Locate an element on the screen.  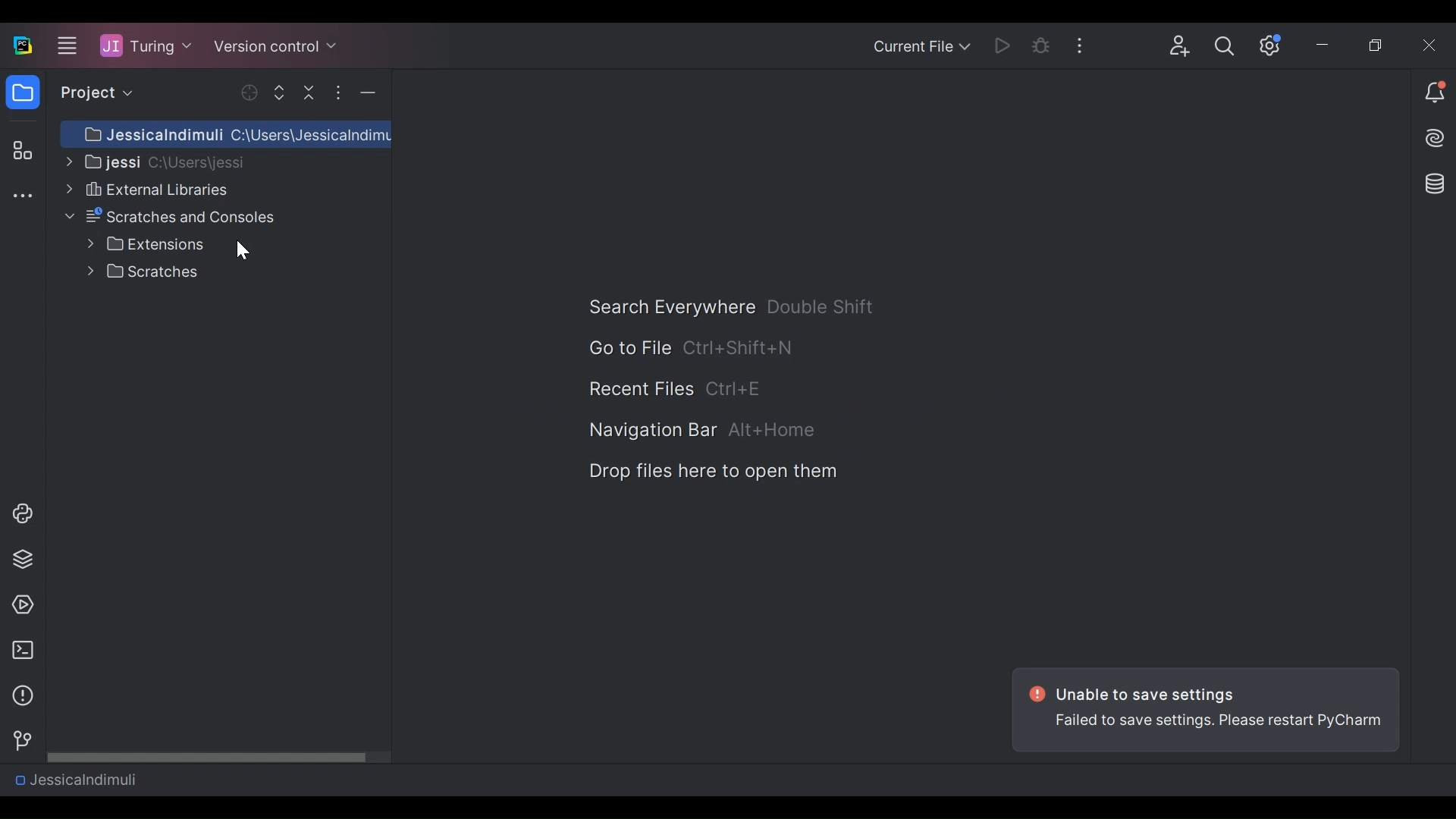
folder is located at coordinates (22, 95).